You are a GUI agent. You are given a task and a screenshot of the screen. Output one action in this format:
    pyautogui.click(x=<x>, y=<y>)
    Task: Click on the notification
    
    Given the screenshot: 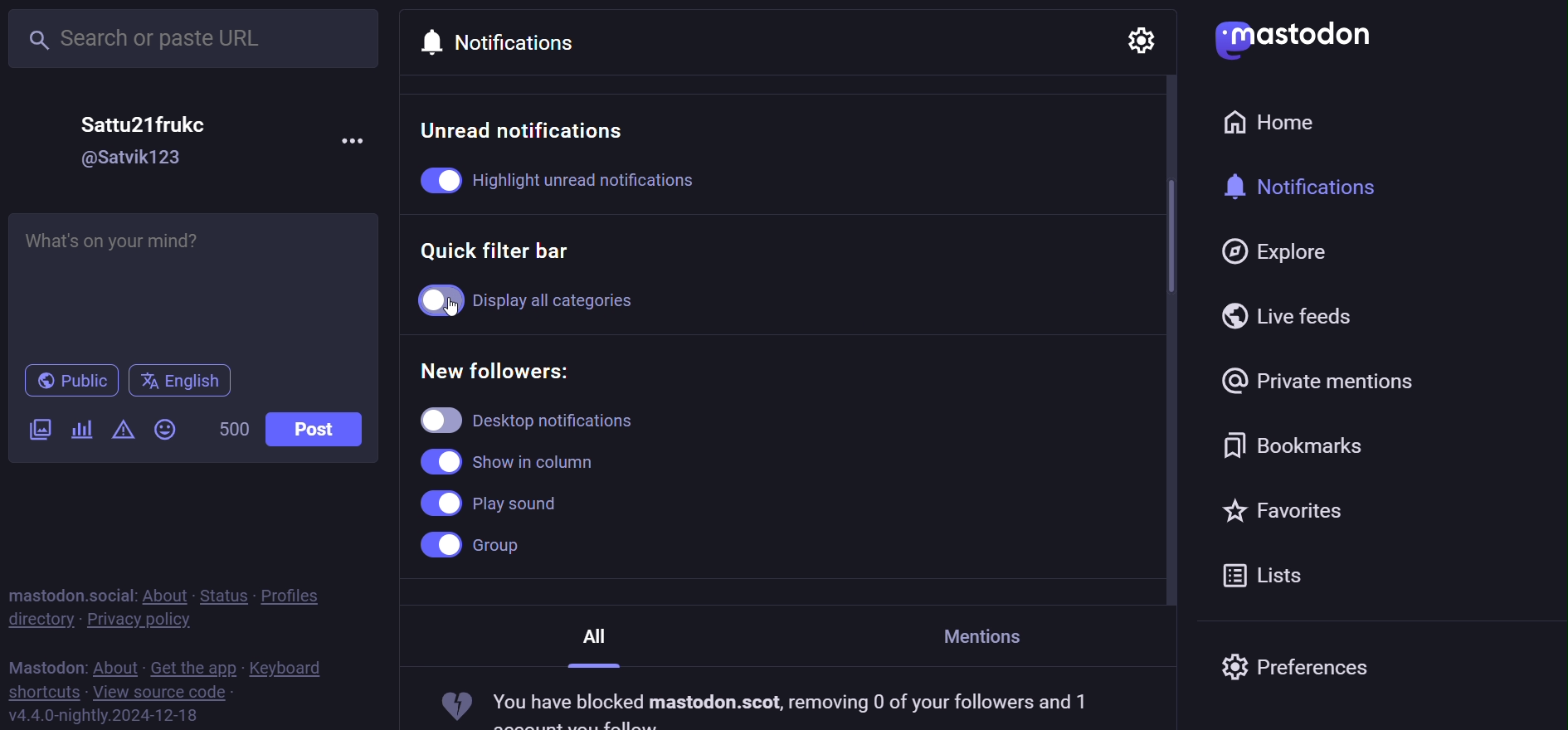 What is the action you would take?
    pyautogui.click(x=512, y=37)
    